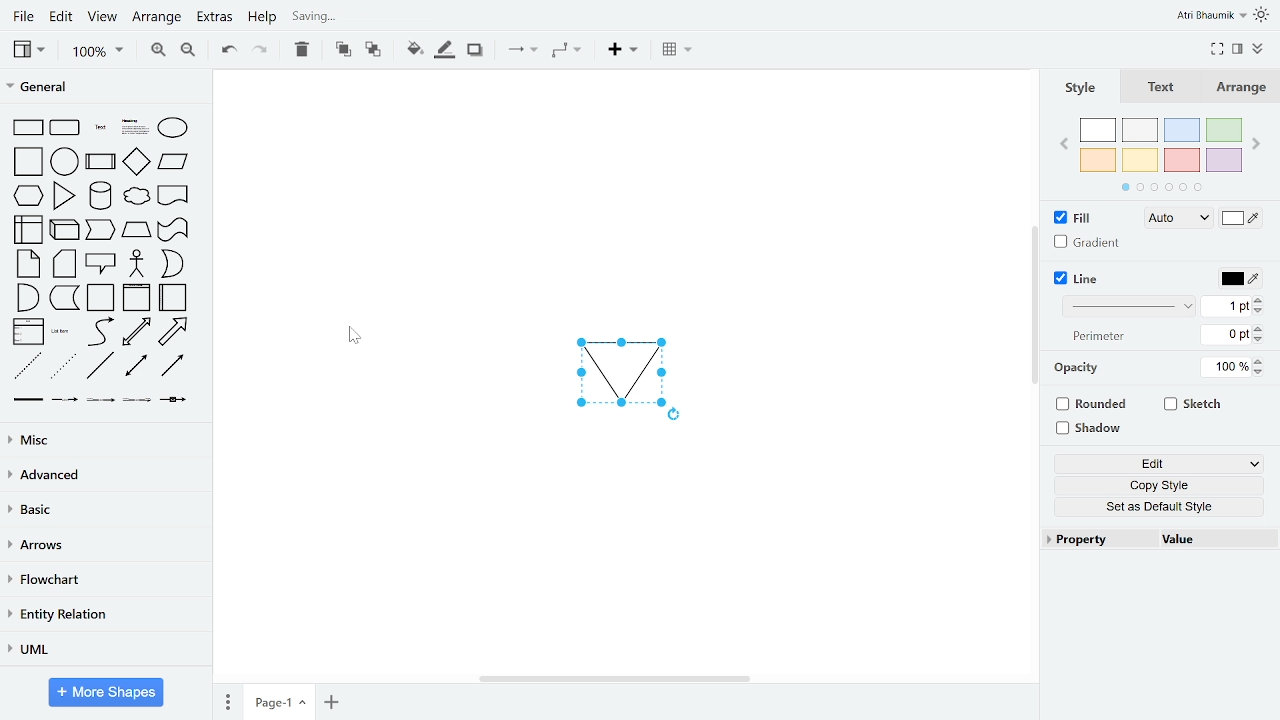  Describe the element at coordinates (135, 402) in the screenshot. I see `connector with 3 label` at that location.